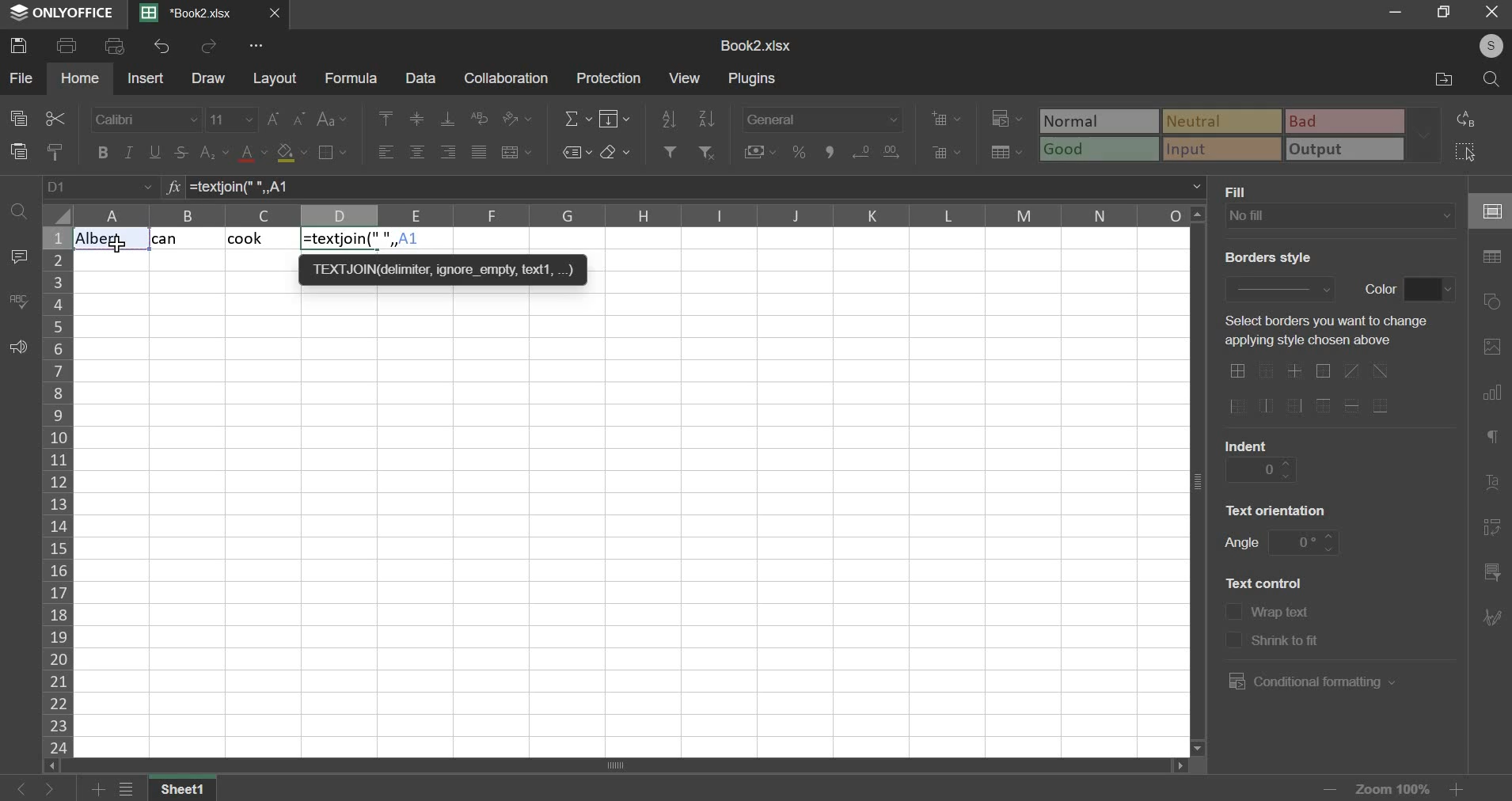 Image resolution: width=1512 pixels, height=801 pixels. I want to click on type, so click(1241, 135).